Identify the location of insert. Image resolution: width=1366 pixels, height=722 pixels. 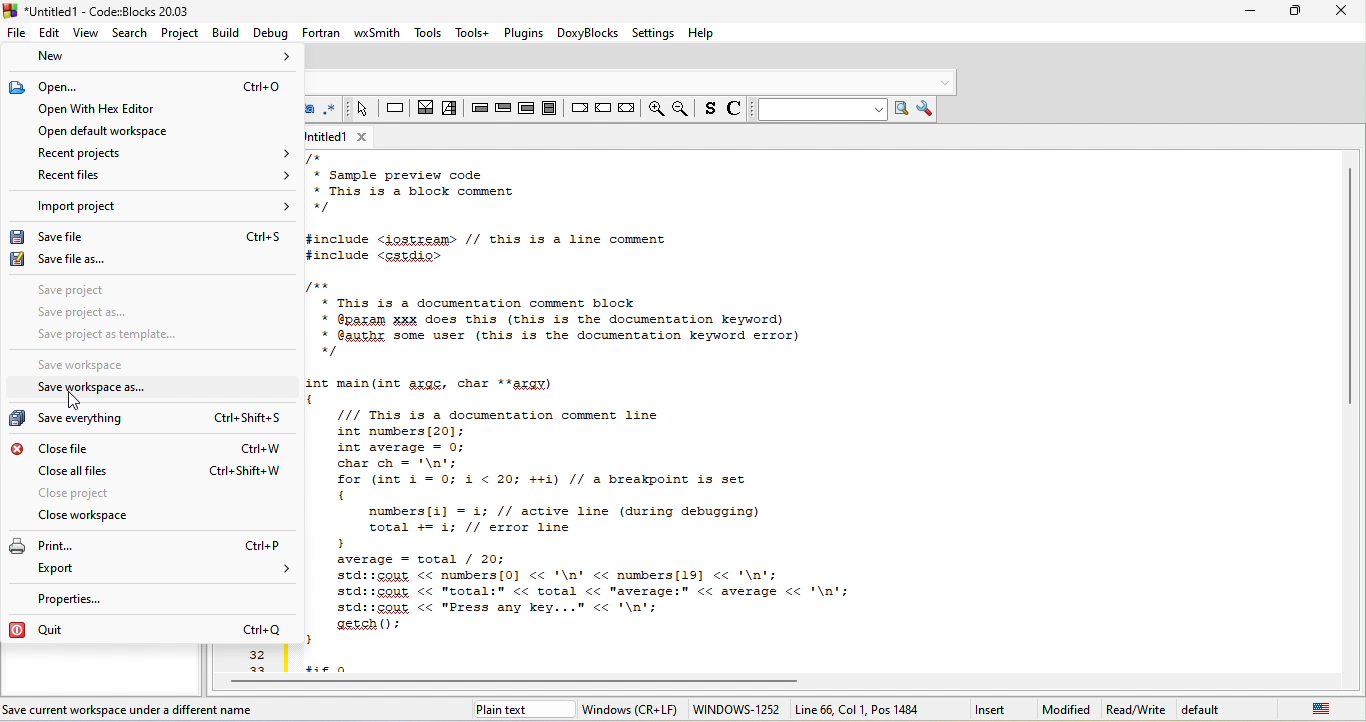
(991, 710).